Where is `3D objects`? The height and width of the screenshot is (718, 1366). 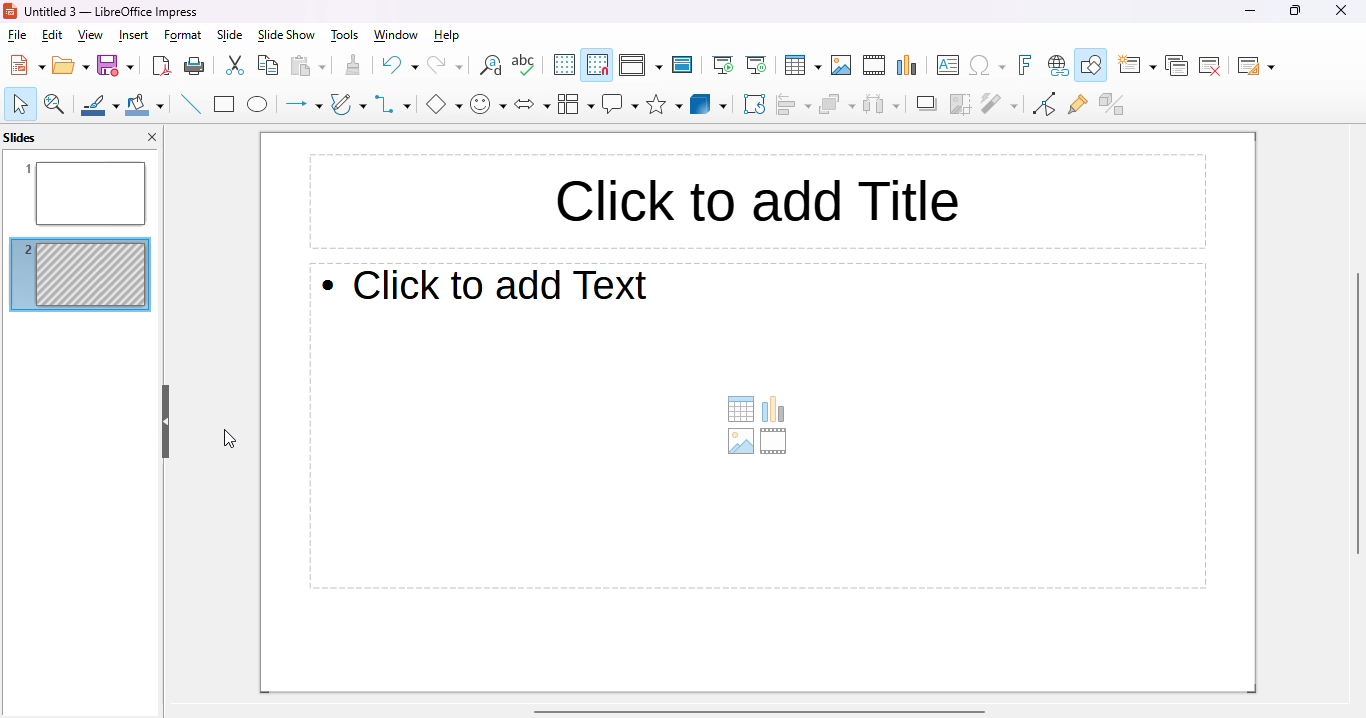 3D objects is located at coordinates (709, 104).